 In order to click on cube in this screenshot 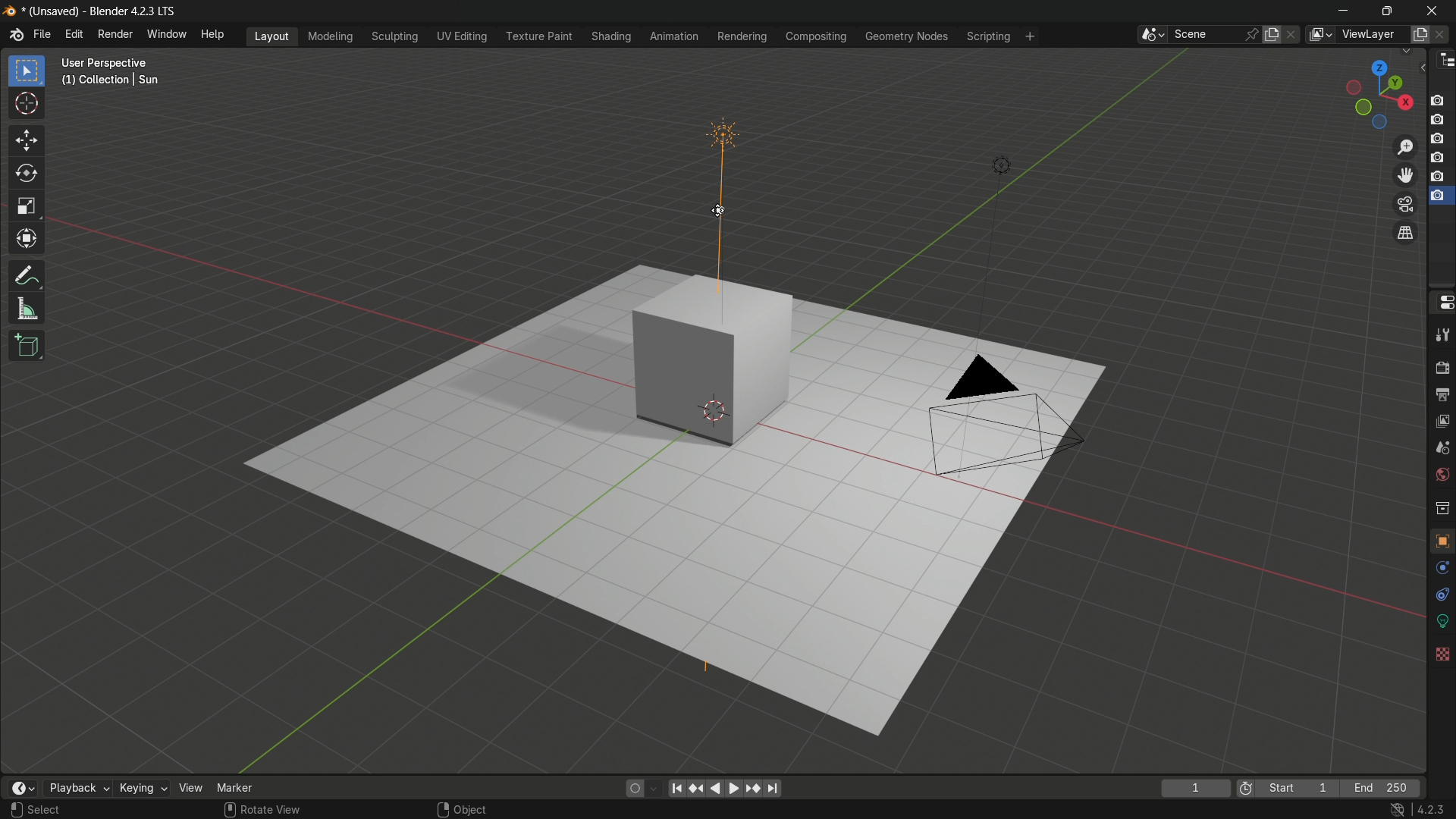, I will do `click(716, 359)`.